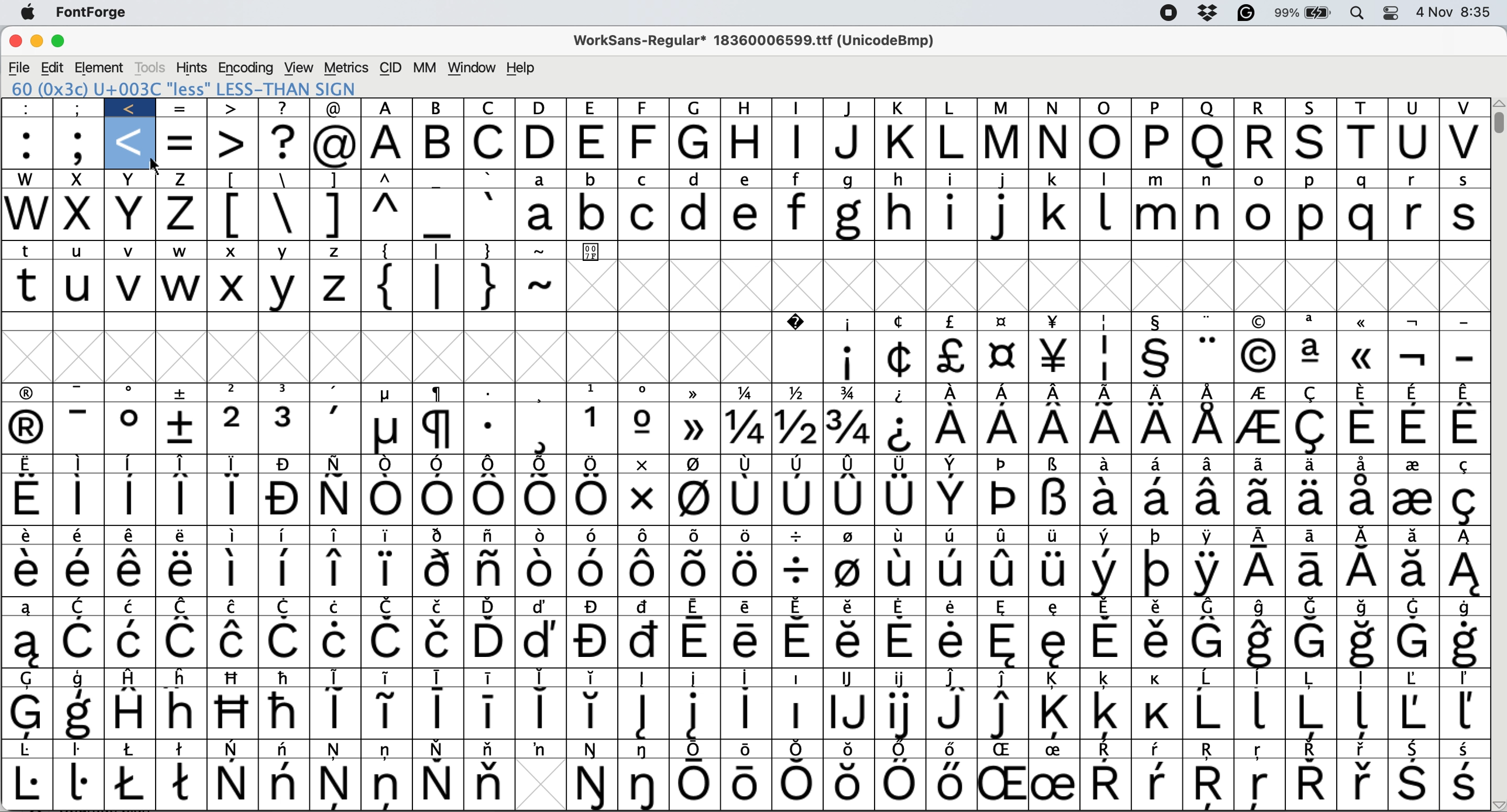 This screenshot has height=812, width=1507. Describe the element at coordinates (54, 67) in the screenshot. I see `edit` at that location.